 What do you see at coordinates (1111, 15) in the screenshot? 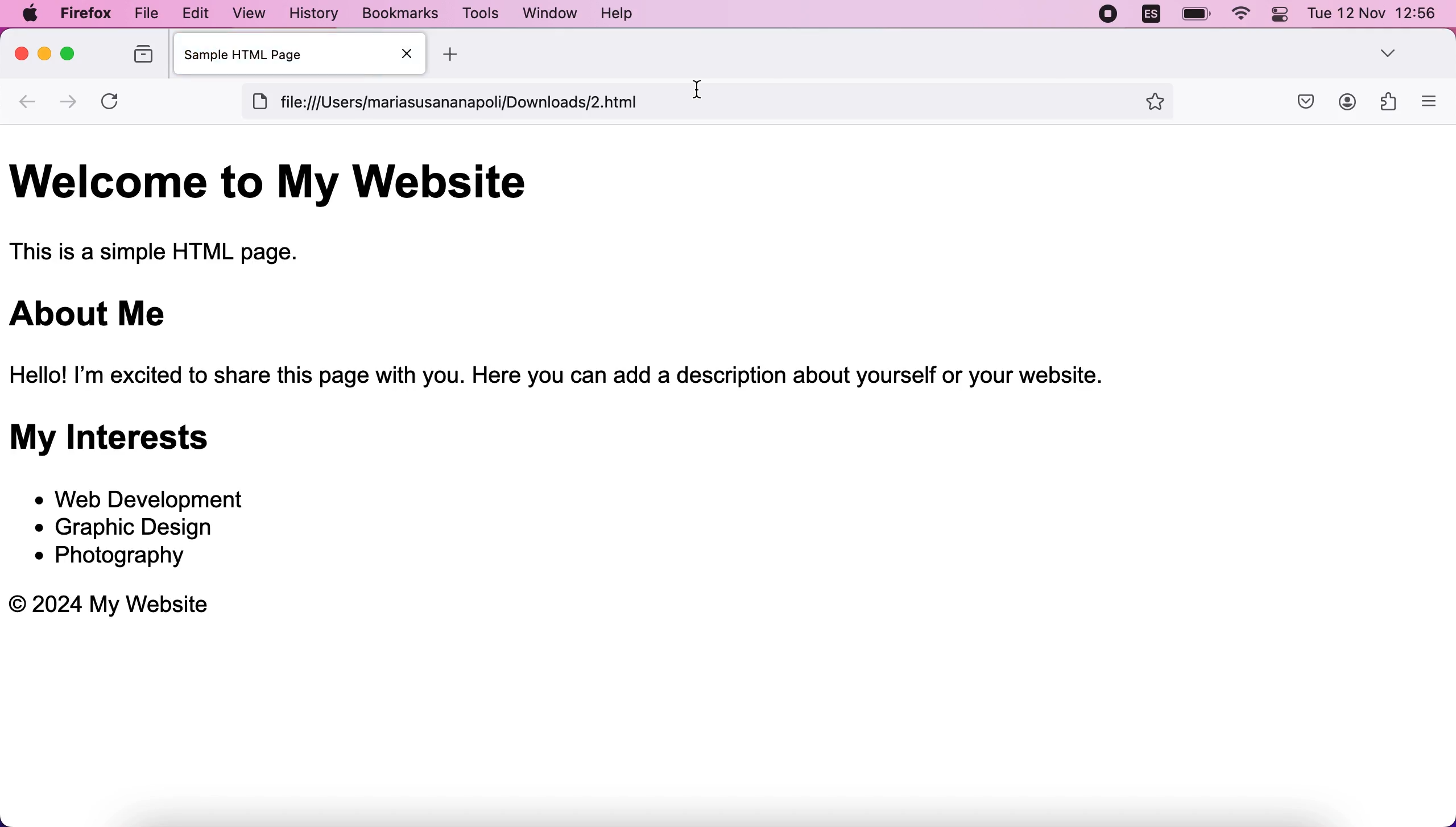
I see `recording stopped` at bounding box center [1111, 15].